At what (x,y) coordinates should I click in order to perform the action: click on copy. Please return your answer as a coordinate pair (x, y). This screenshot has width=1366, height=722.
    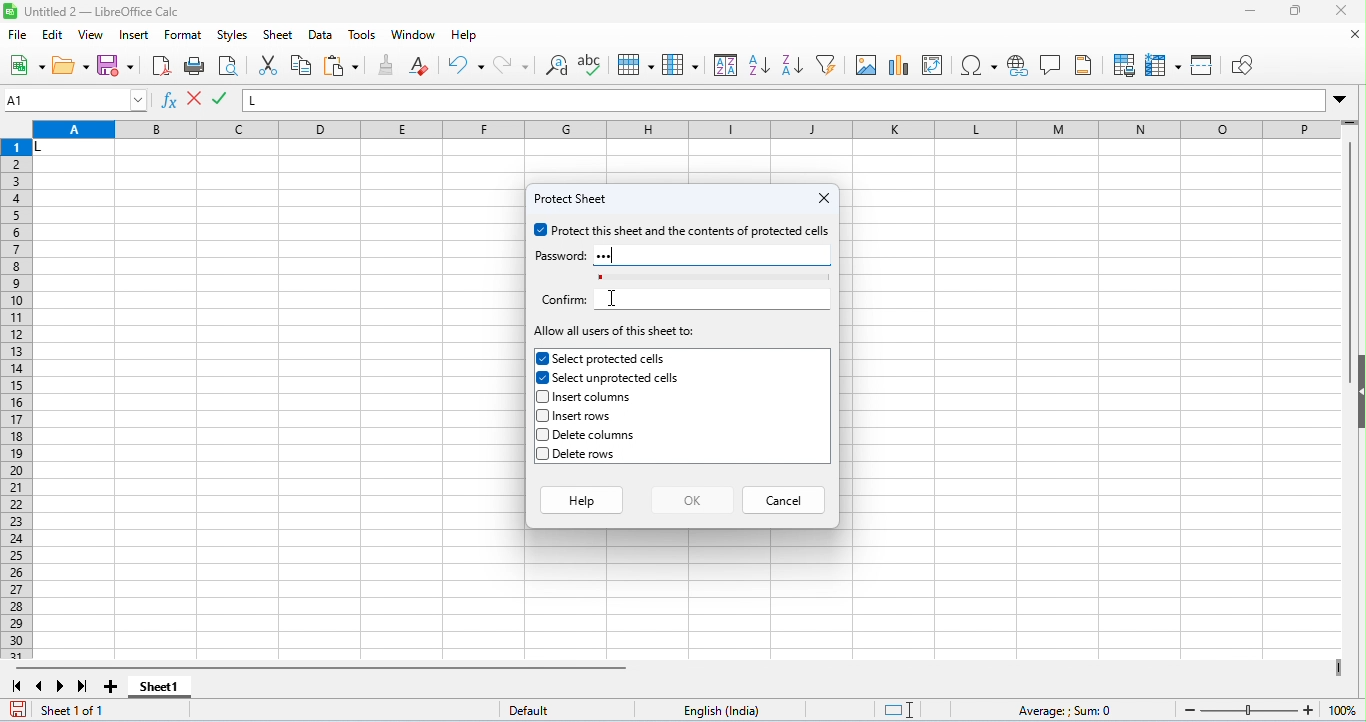
    Looking at the image, I should click on (301, 65).